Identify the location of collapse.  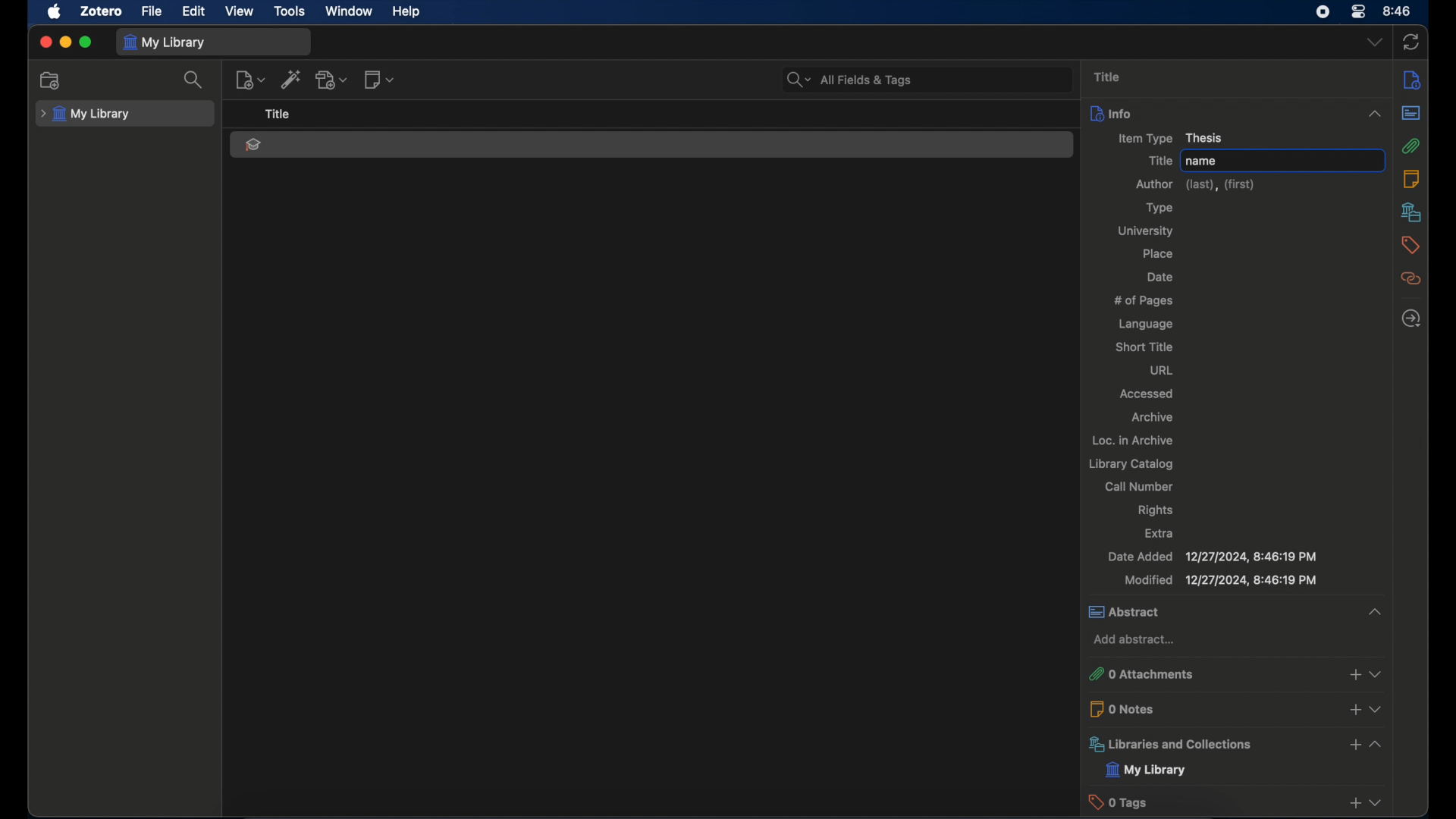
(1374, 114).